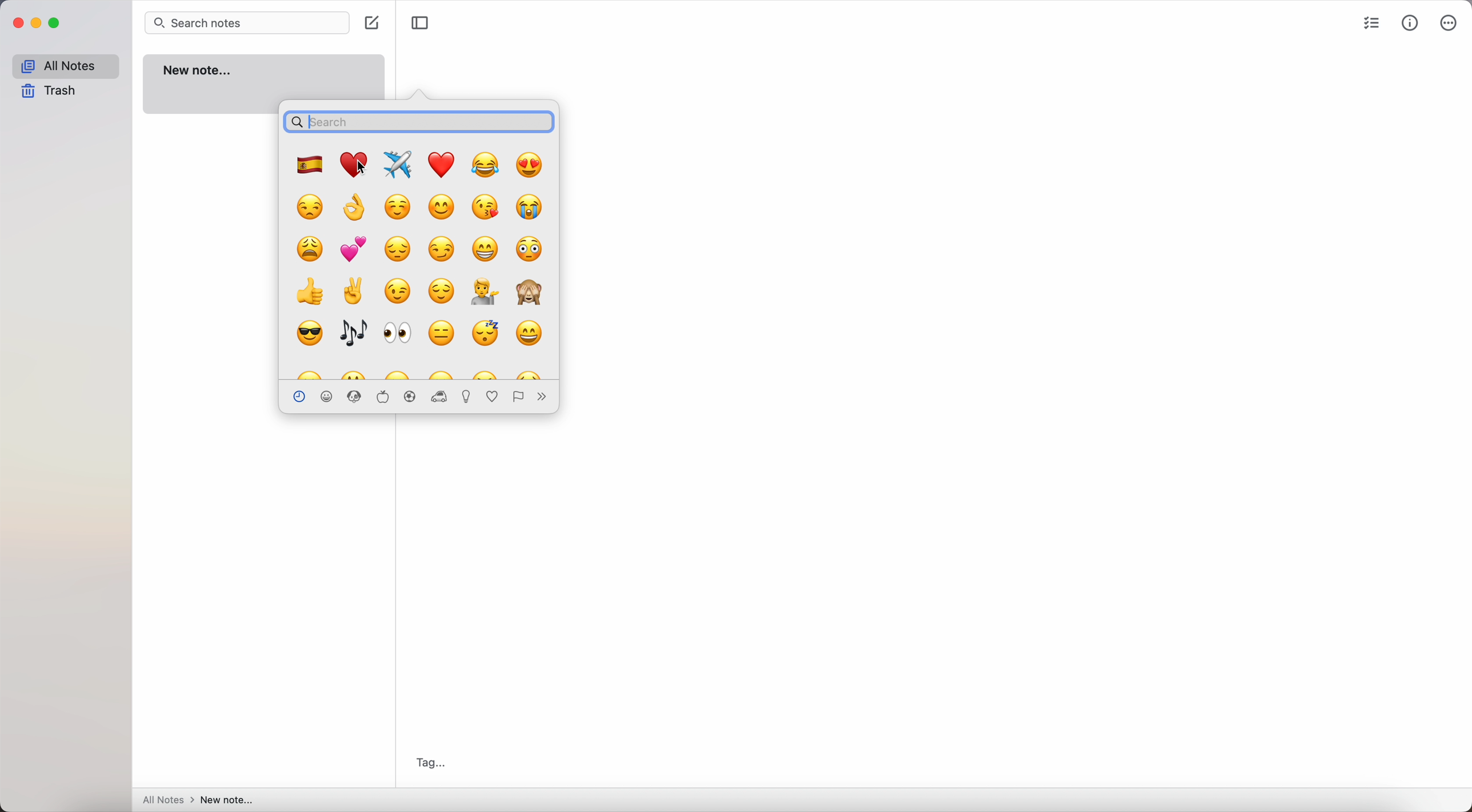  What do you see at coordinates (534, 166) in the screenshot?
I see `emoji` at bounding box center [534, 166].